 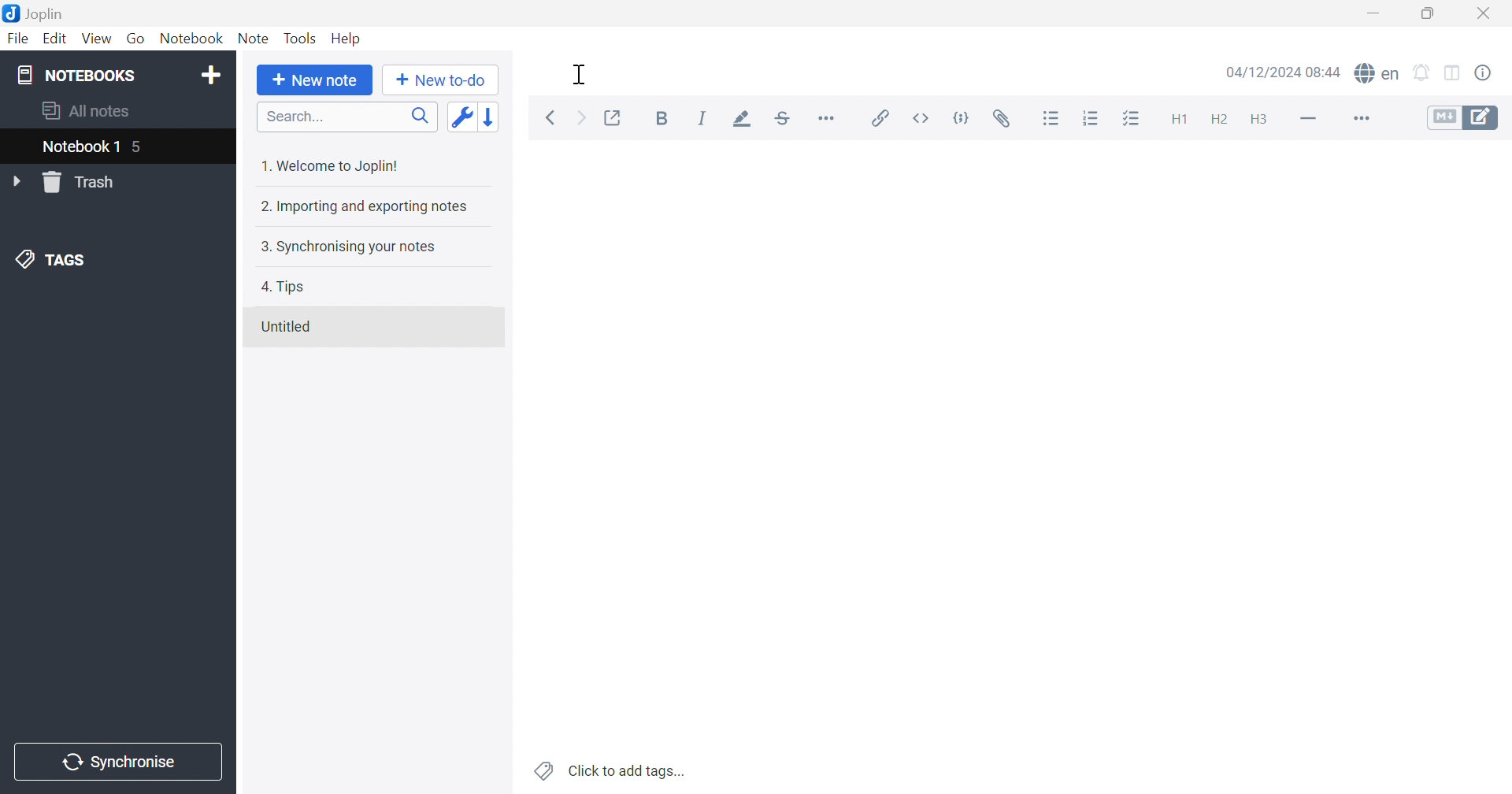 What do you see at coordinates (1431, 14) in the screenshot?
I see `Restore Down` at bounding box center [1431, 14].